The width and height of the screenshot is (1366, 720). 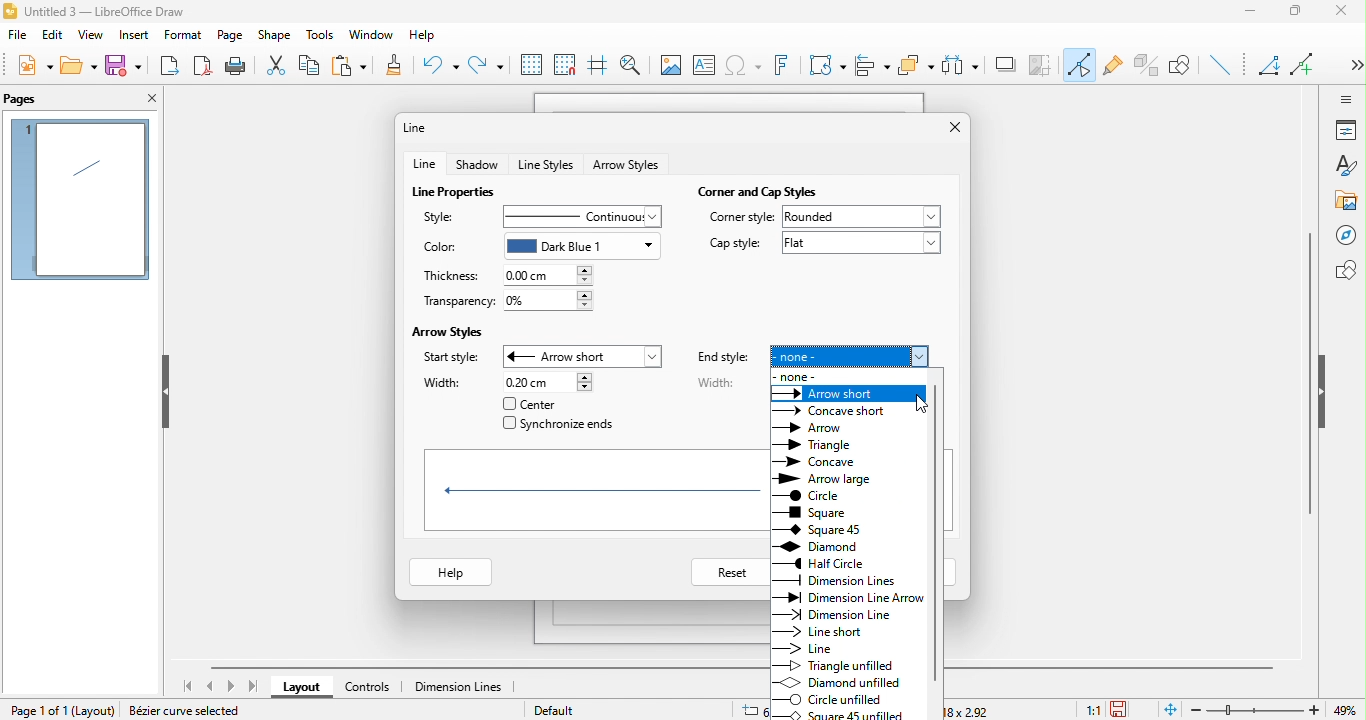 I want to click on continuous, so click(x=579, y=215).